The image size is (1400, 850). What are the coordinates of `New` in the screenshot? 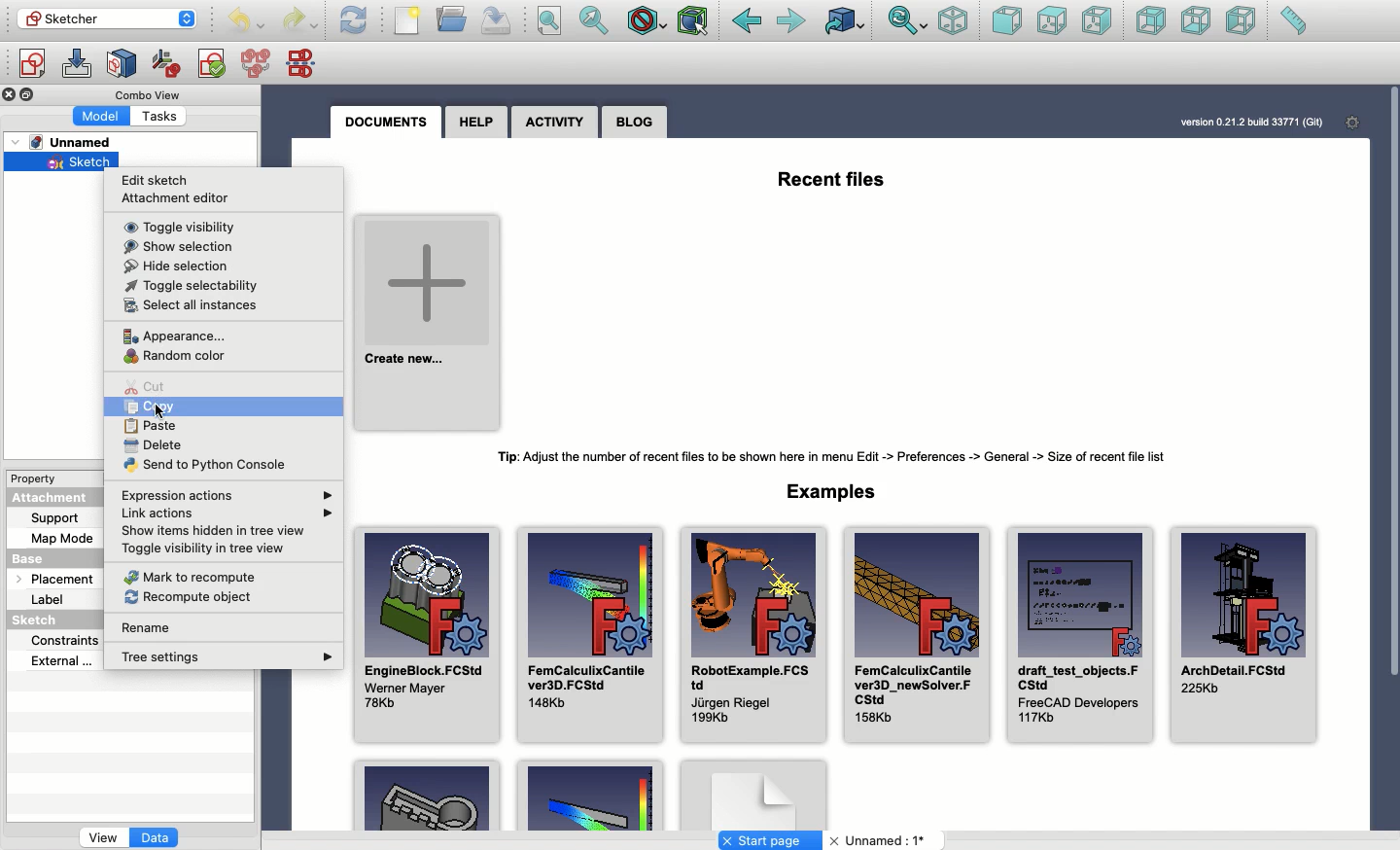 It's located at (407, 20).